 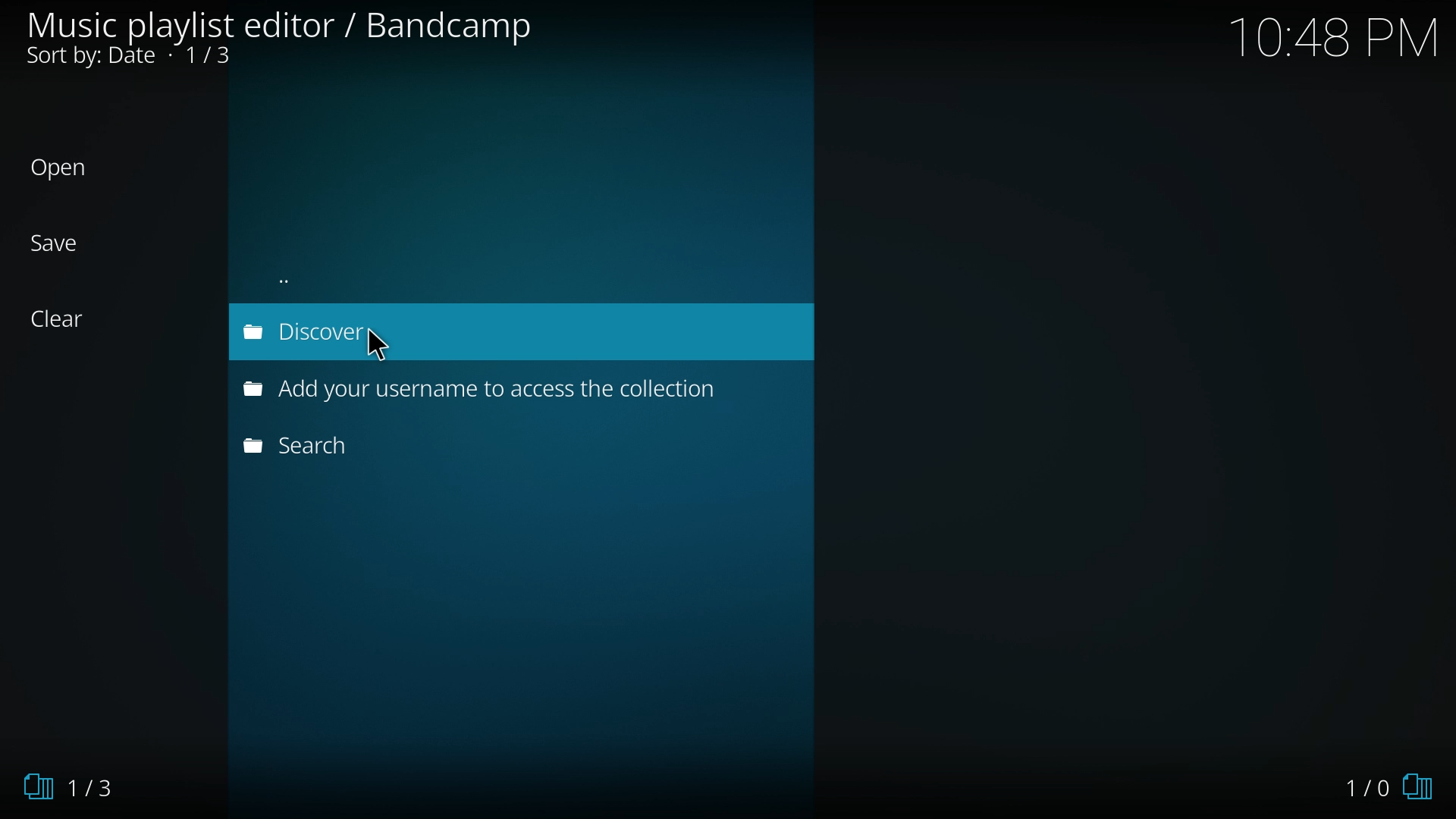 I want to click on search, so click(x=330, y=446).